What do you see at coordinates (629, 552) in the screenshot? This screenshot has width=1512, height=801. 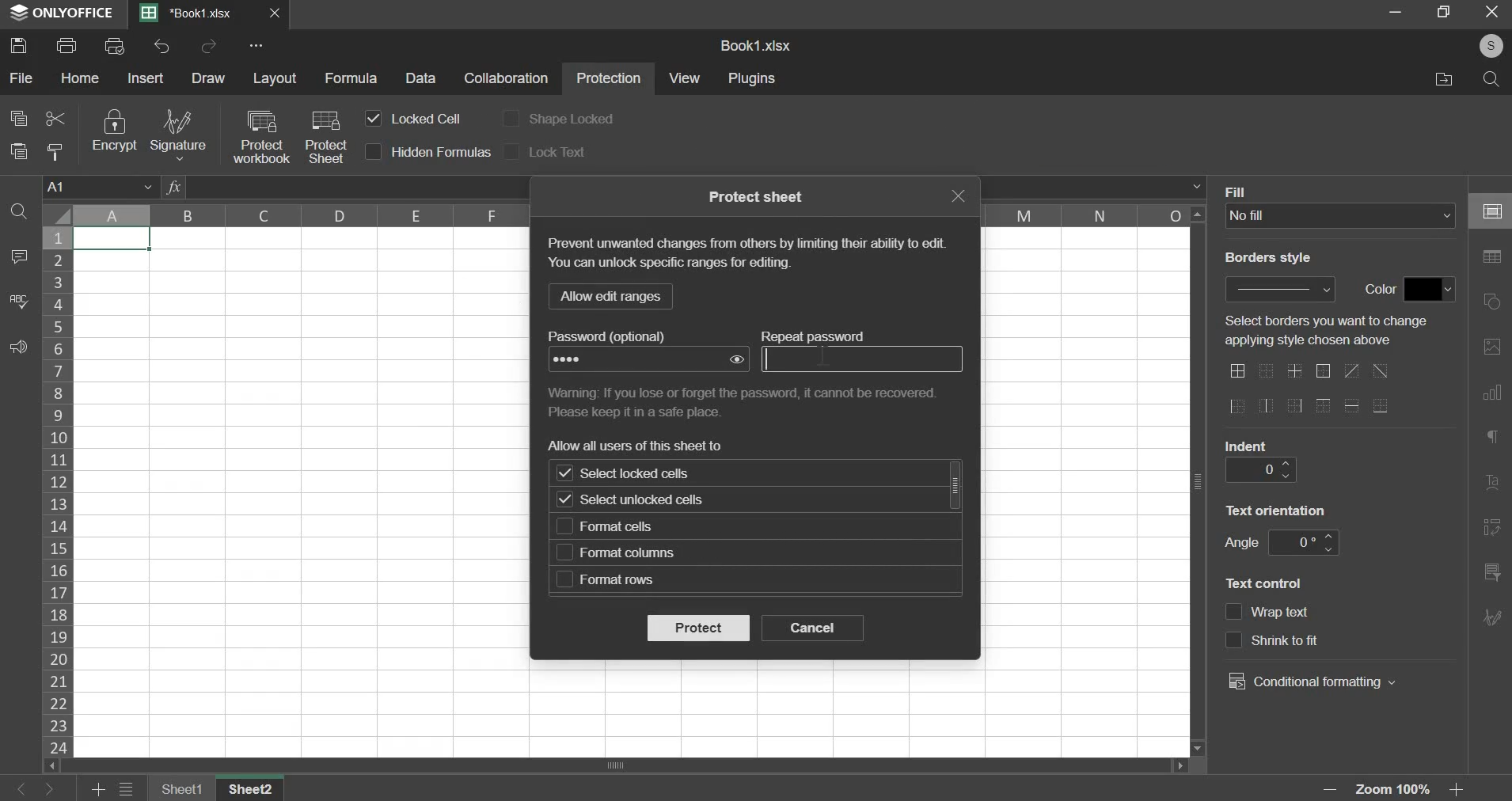 I see `format columns` at bounding box center [629, 552].